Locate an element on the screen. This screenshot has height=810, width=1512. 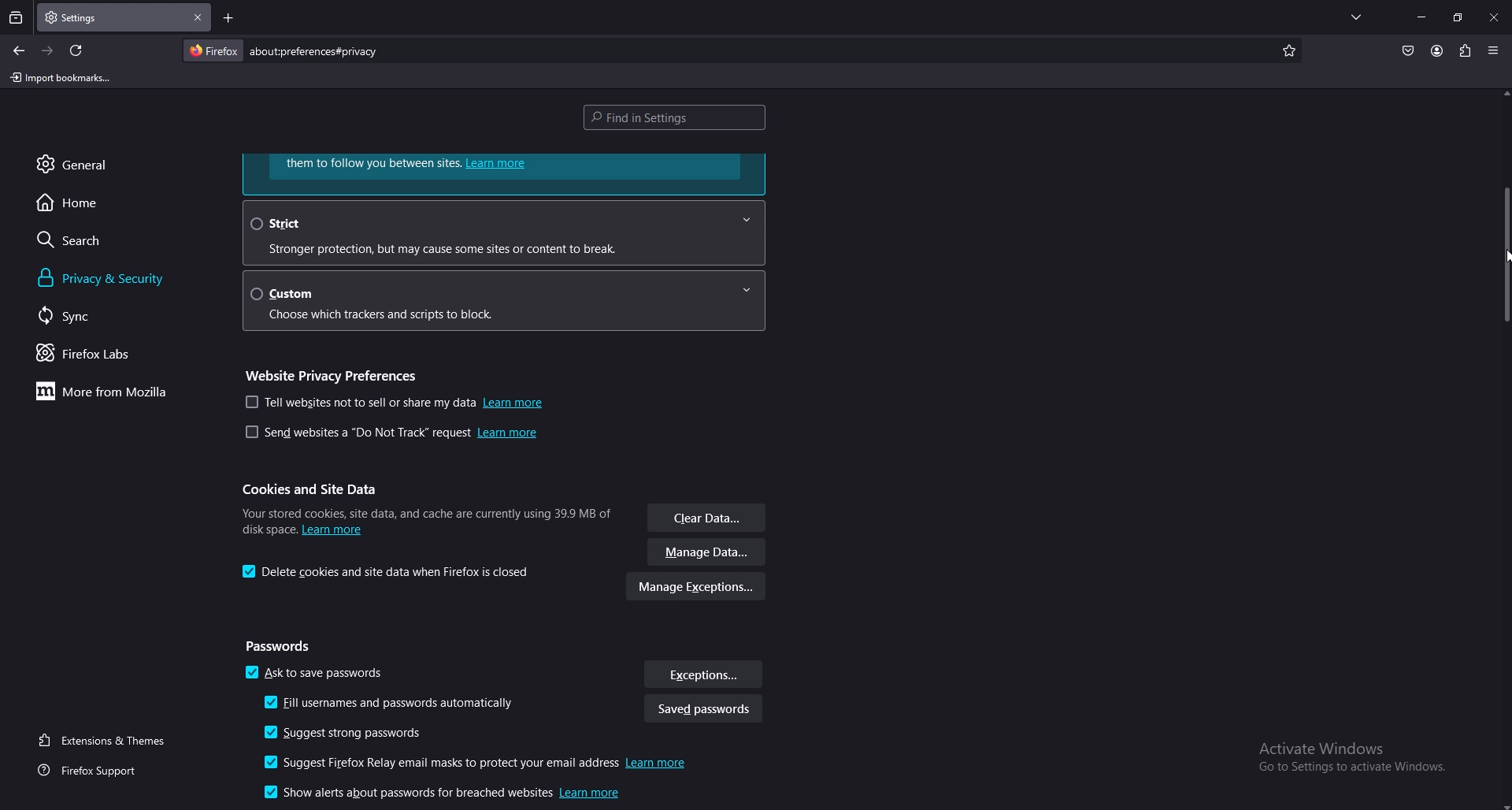
firefox support is located at coordinates (93, 771).